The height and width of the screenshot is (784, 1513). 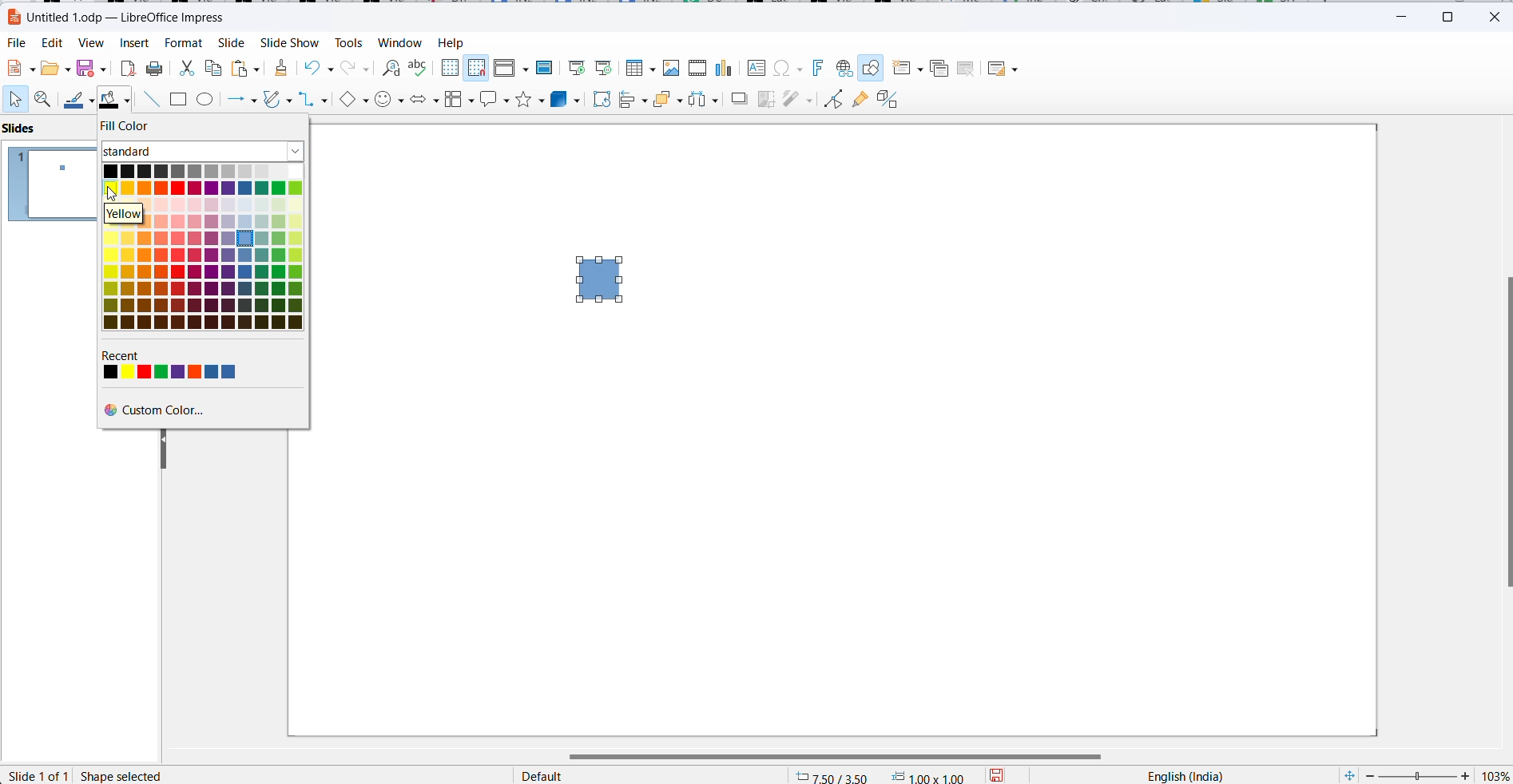 What do you see at coordinates (727, 69) in the screenshot?
I see `Insert charts` at bounding box center [727, 69].